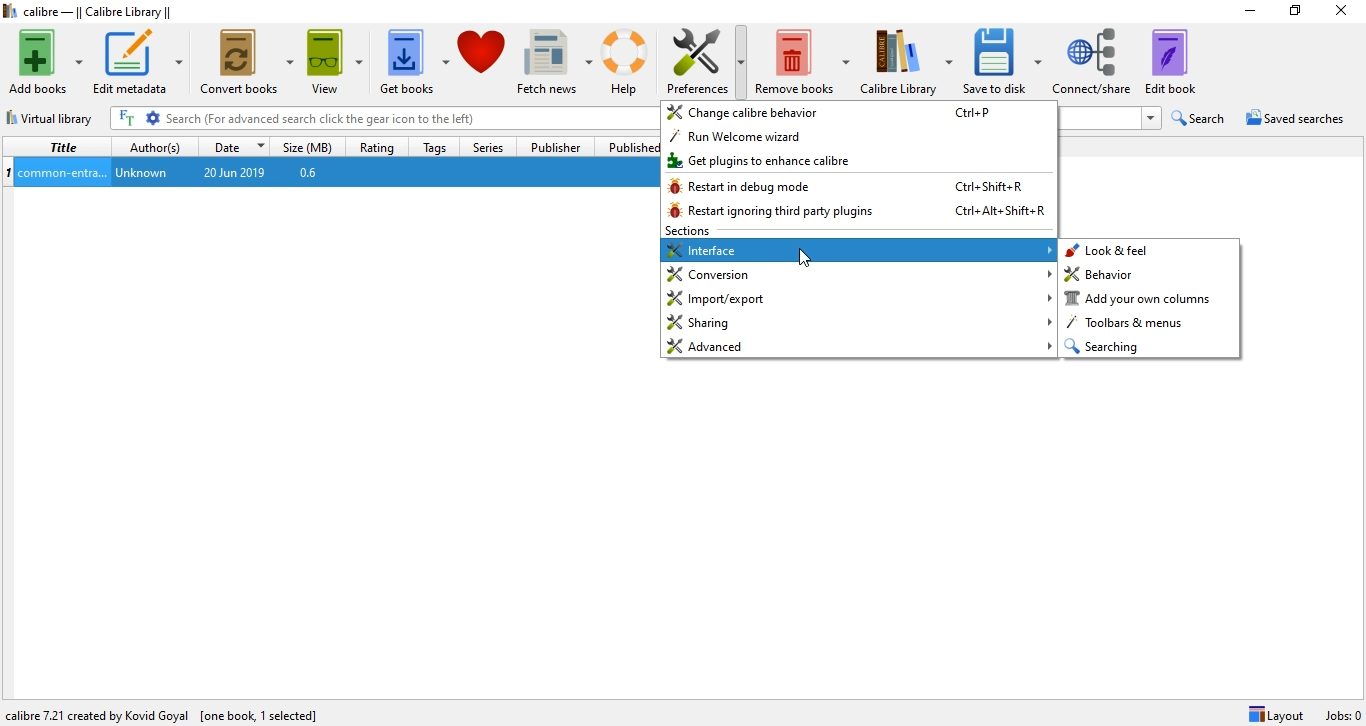 This screenshot has height=726, width=1366. Describe the element at coordinates (237, 145) in the screenshot. I see `Date` at that location.